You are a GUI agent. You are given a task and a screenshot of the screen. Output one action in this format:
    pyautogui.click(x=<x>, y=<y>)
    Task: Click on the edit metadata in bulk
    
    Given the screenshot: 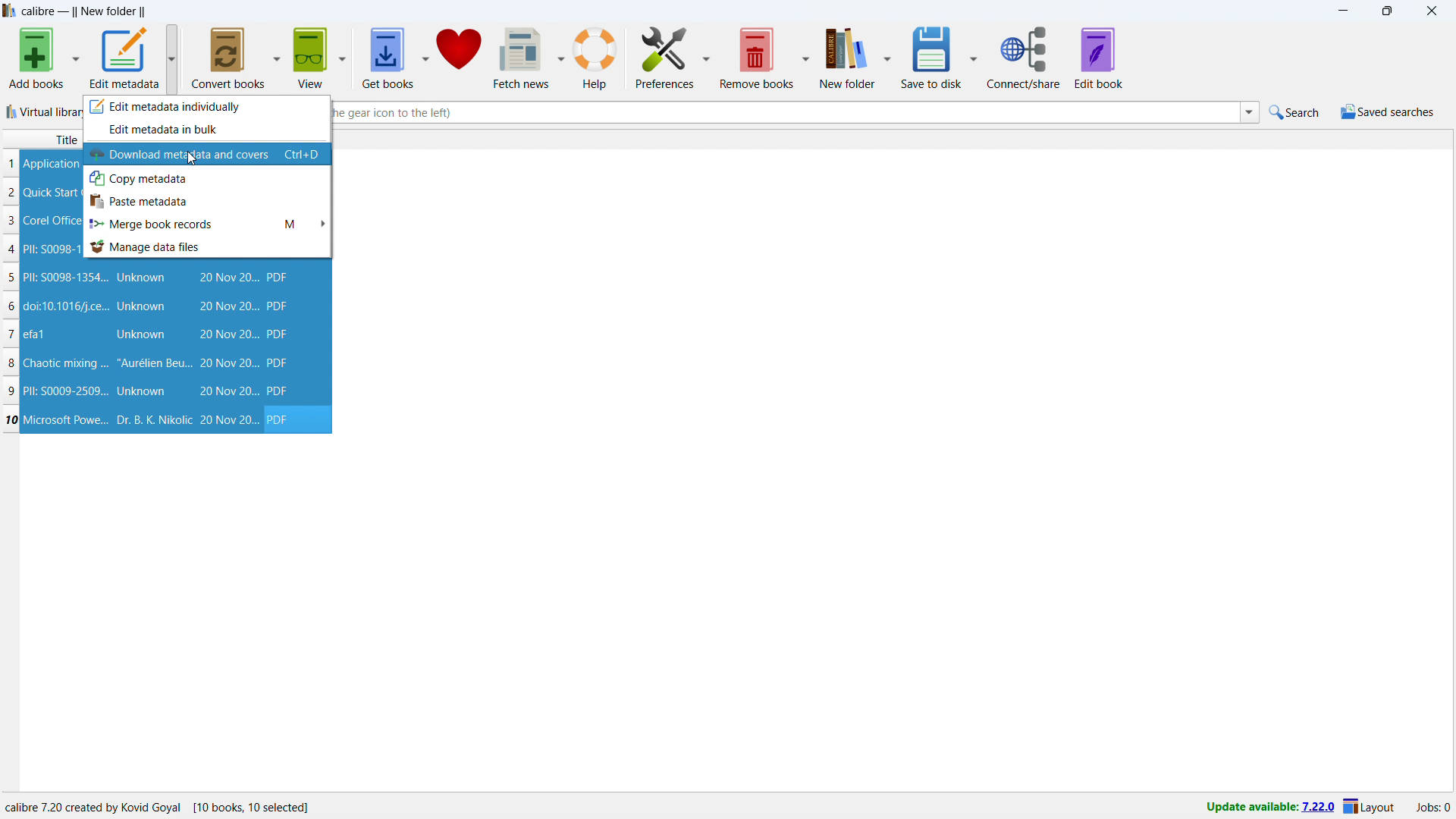 What is the action you would take?
    pyautogui.click(x=206, y=130)
    